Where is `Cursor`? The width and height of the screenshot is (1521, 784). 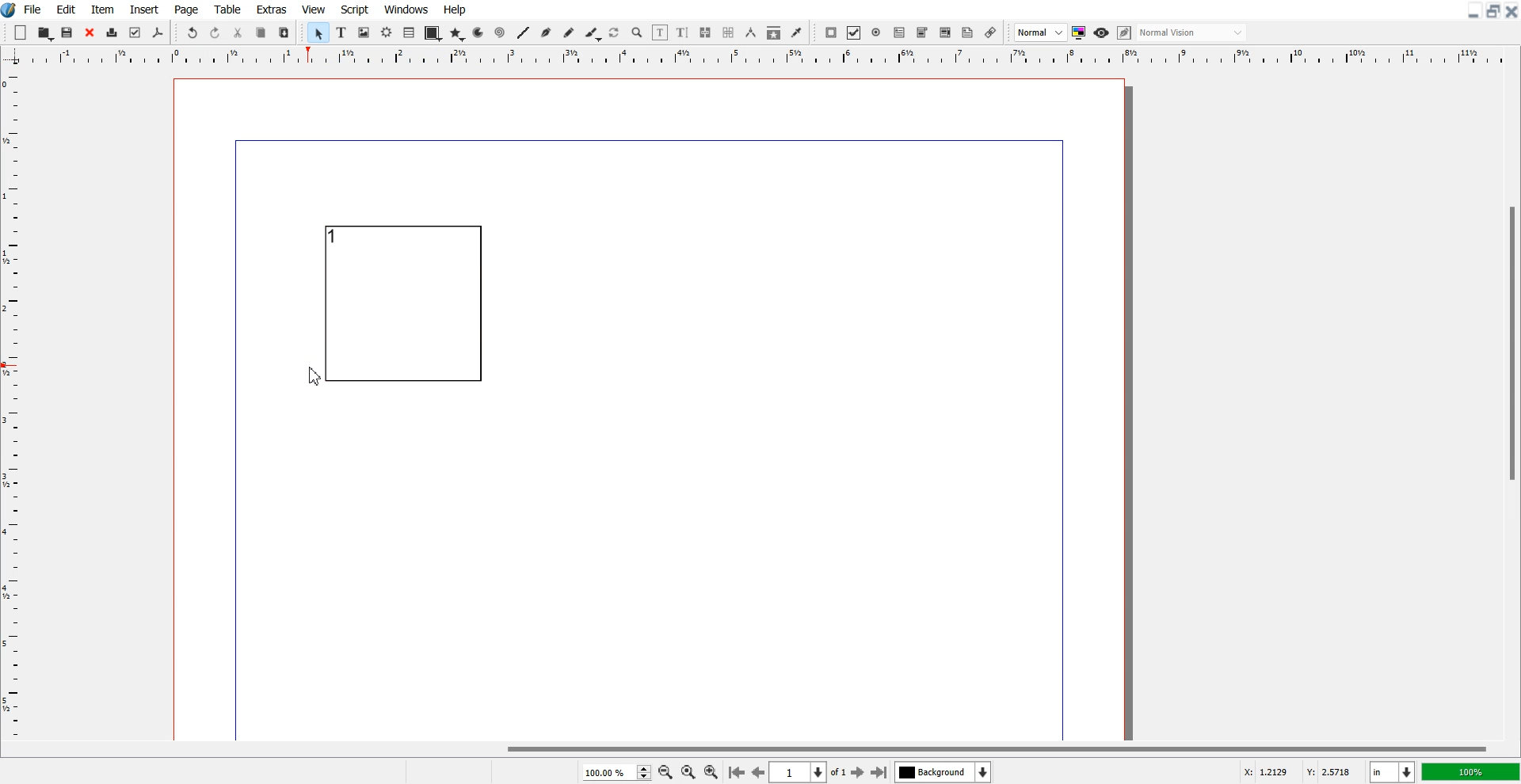 Cursor is located at coordinates (316, 378).